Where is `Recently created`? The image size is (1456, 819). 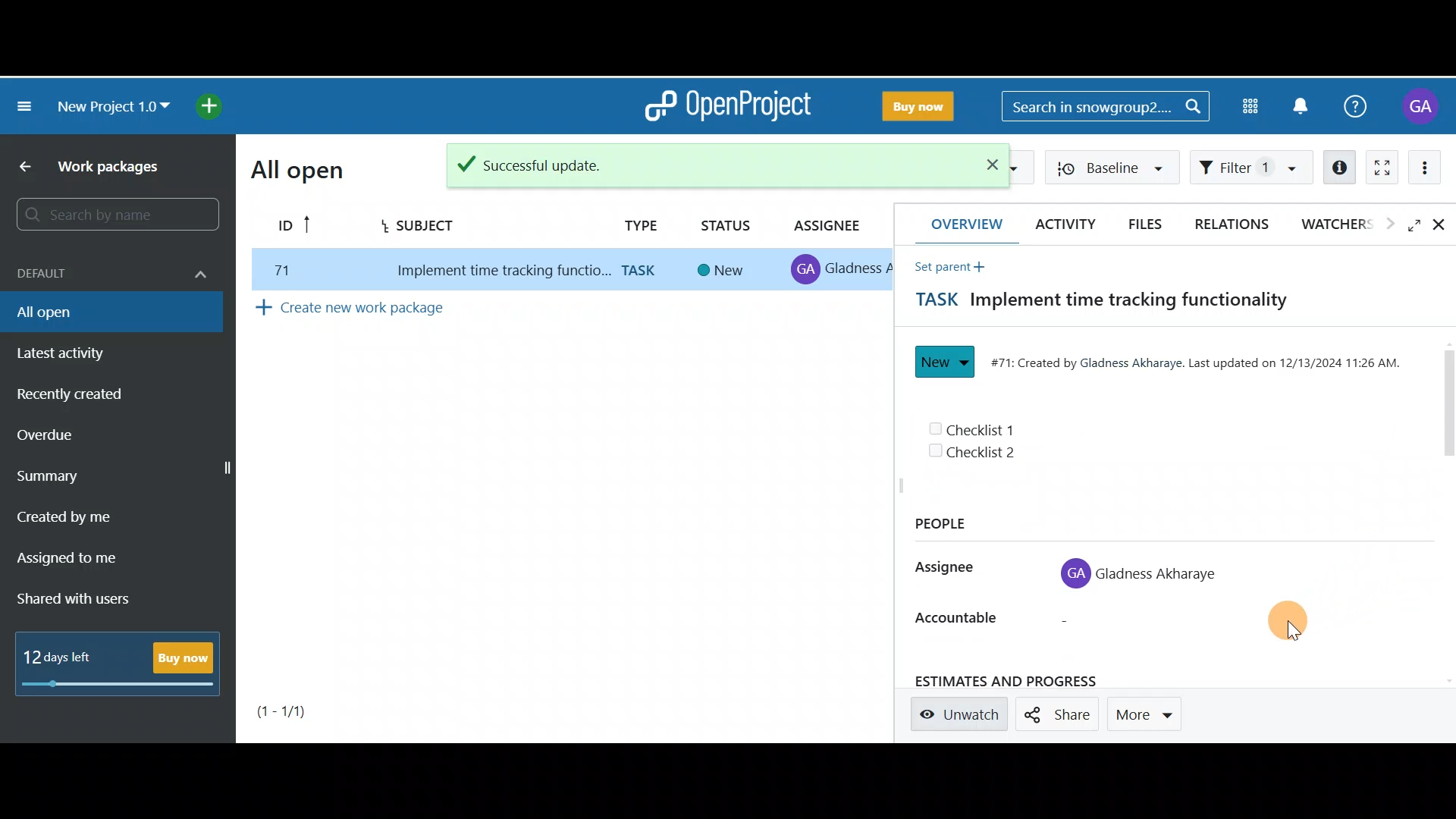
Recently created is located at coordinates (73, 395).